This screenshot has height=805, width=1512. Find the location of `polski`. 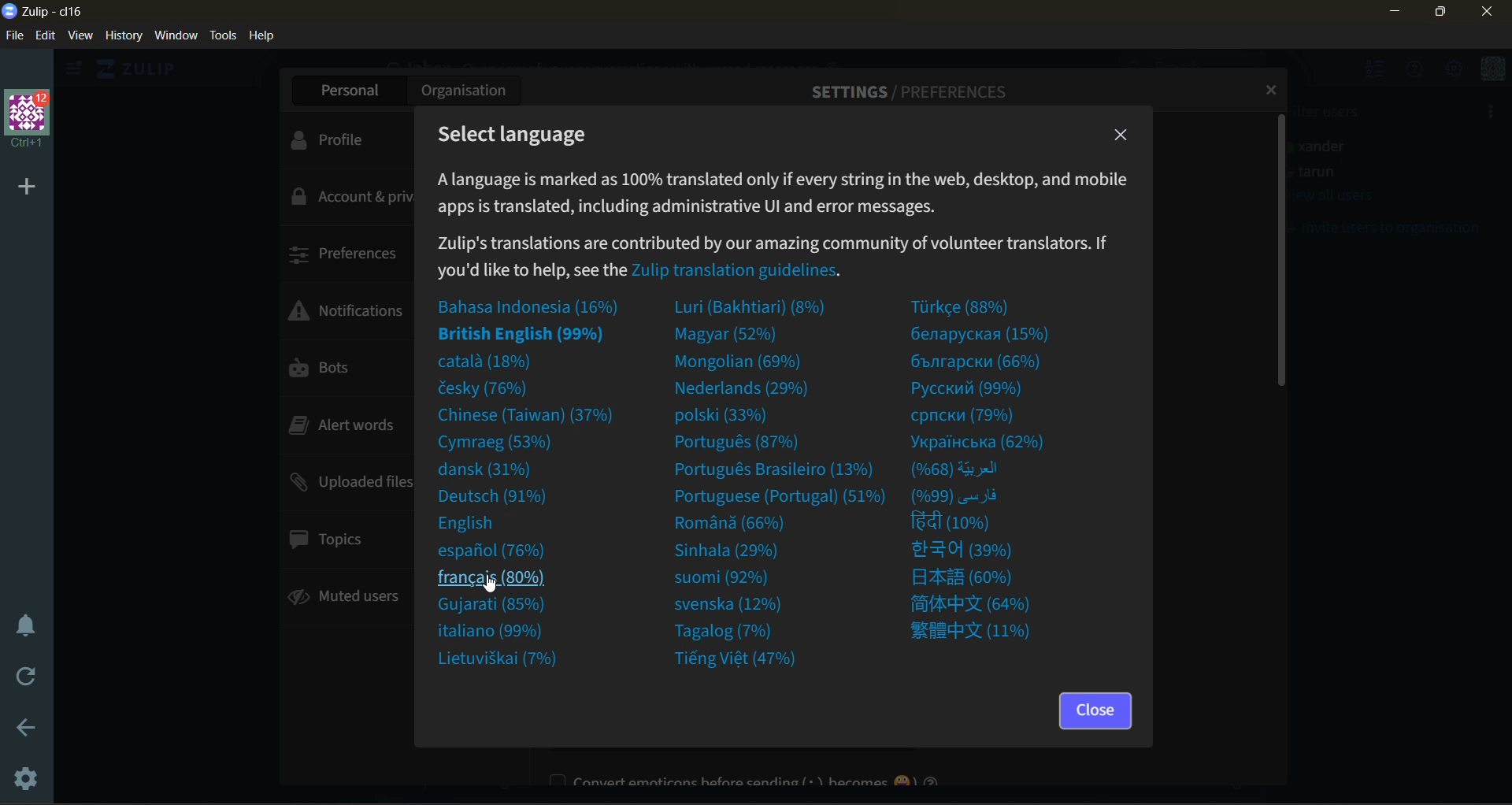

polski is located at coordinates (724, 414).